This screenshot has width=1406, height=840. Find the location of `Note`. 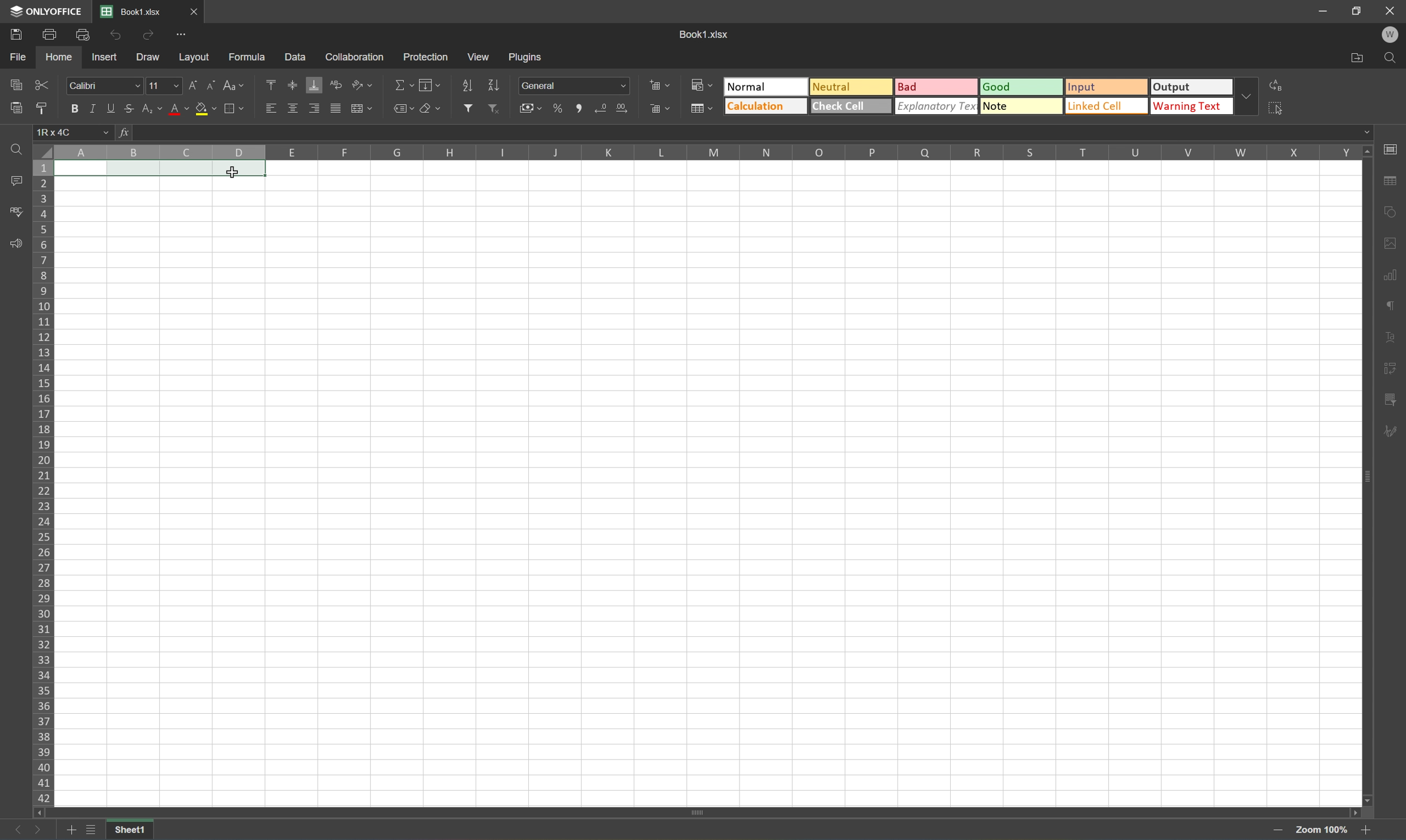

Note is located at coordinates (1020, 106).